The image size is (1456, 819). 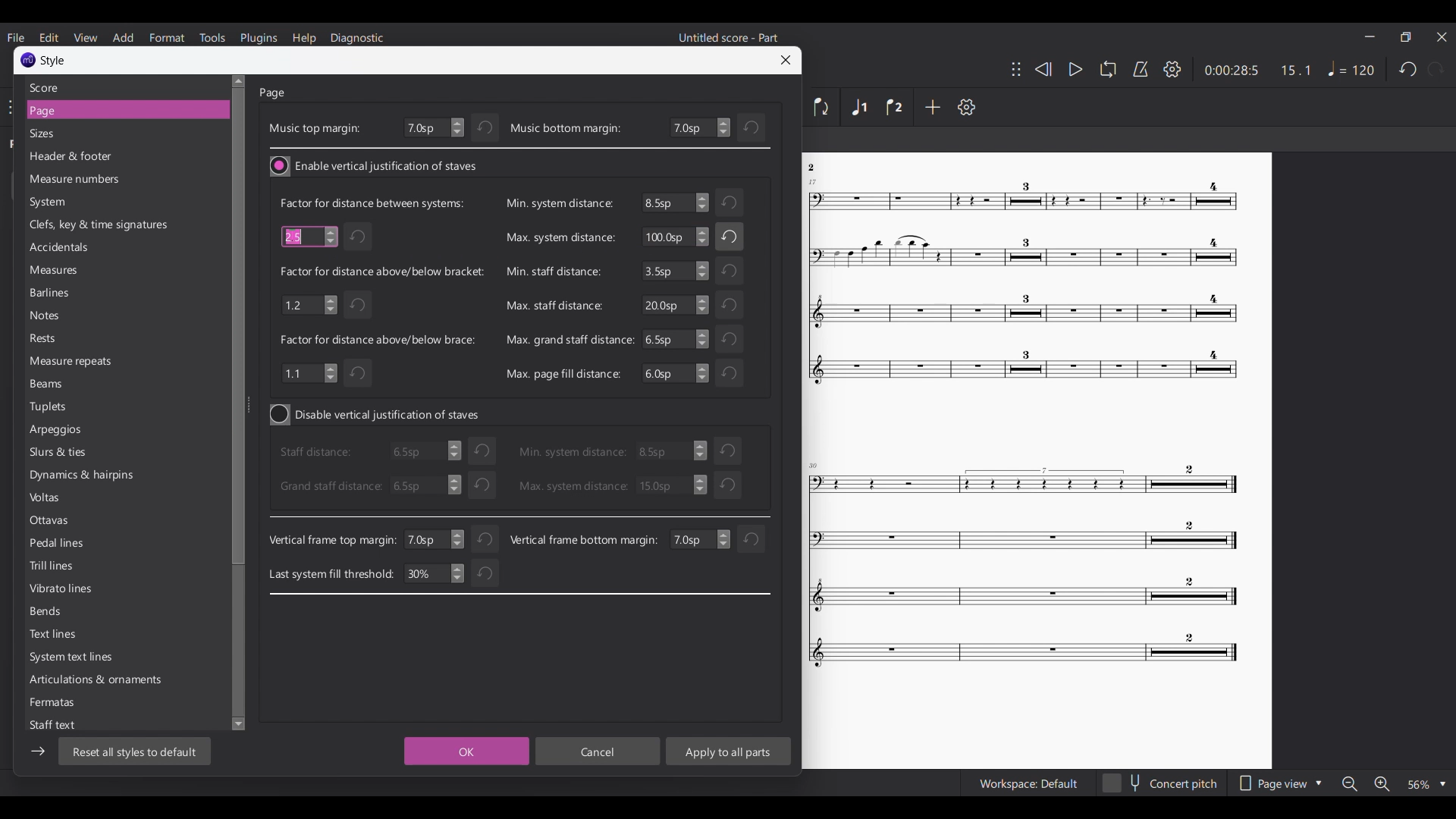 What do you see at coordinates (1028, 784) in the screenshot?
I see `Workspace Default` at bounding box center [1028, 784].